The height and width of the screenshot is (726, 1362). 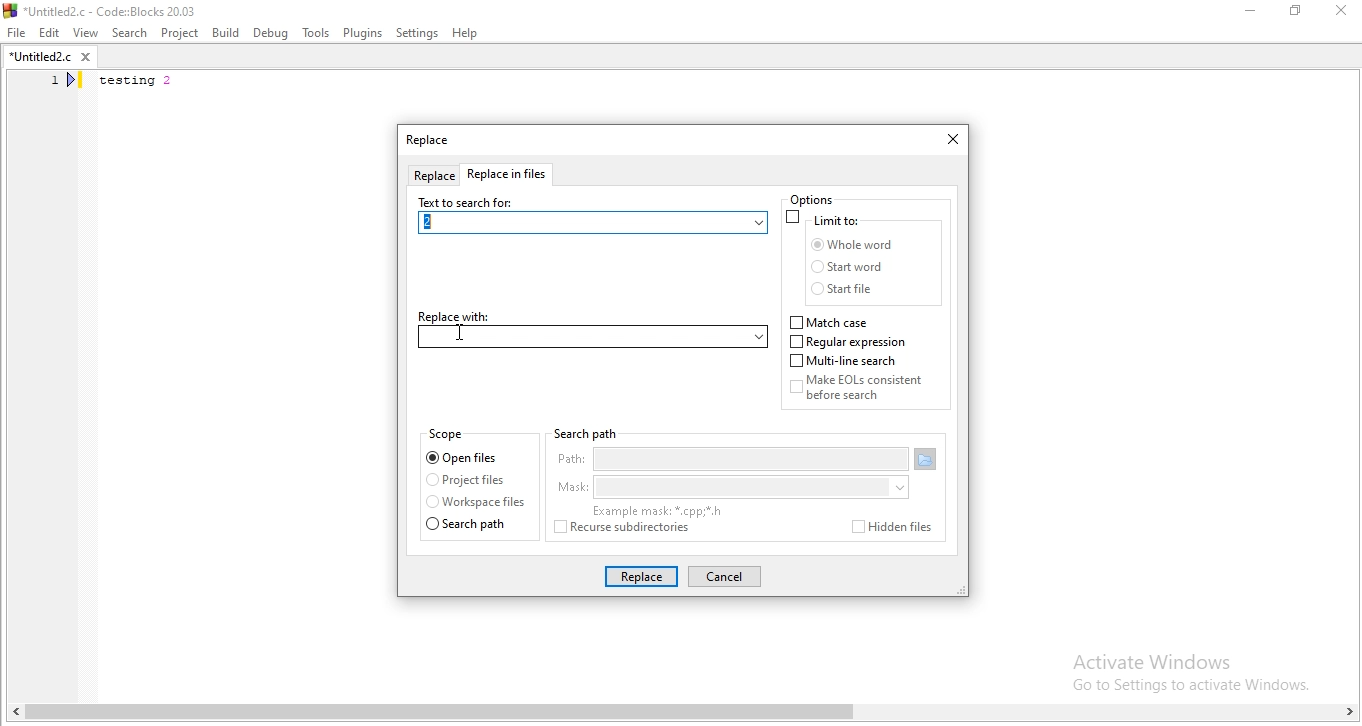 I want to click on *untitled2.c, so click(x=49, y=59).